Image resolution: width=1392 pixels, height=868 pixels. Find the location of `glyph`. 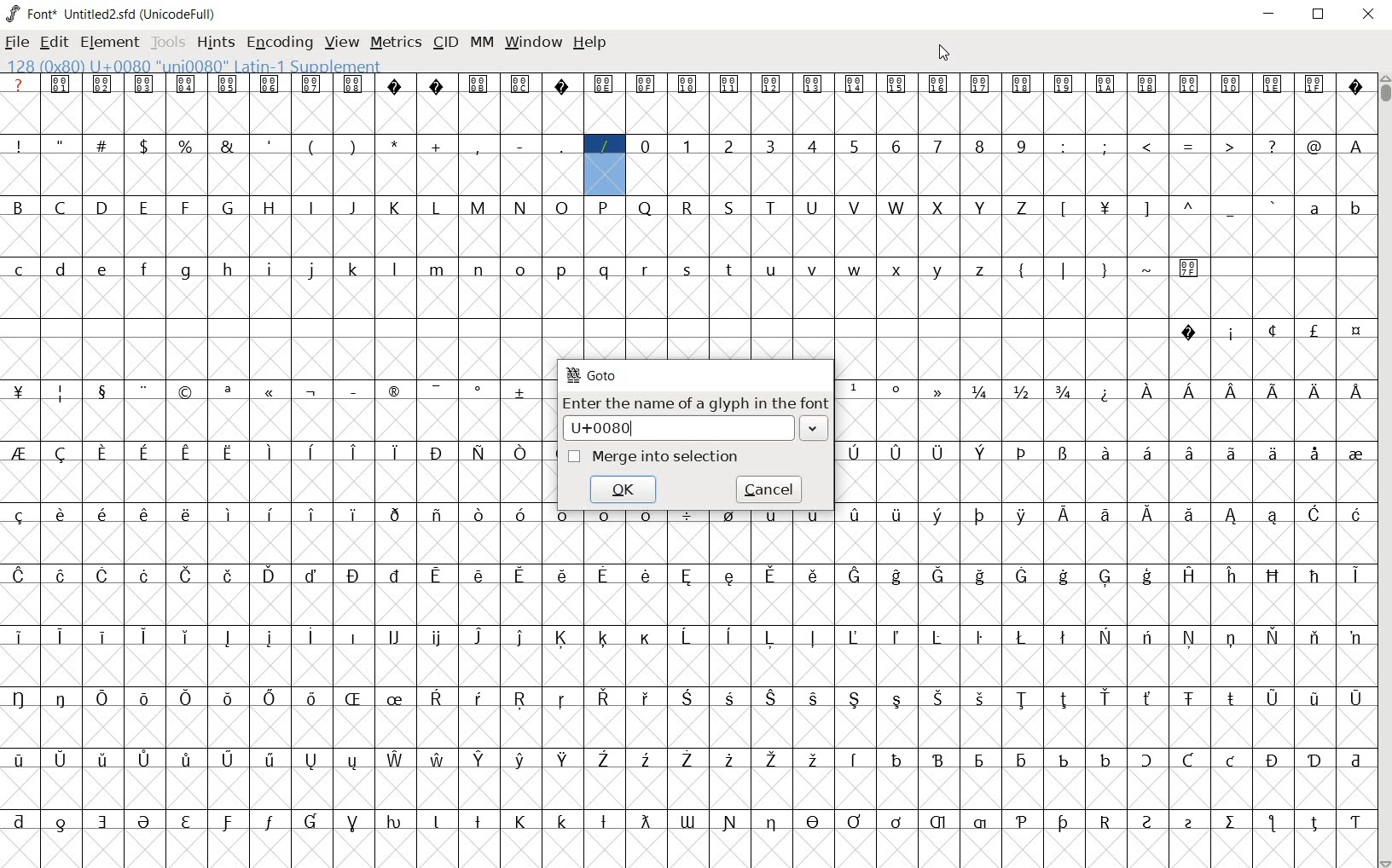

glyph is located at coordinates (771, 85).